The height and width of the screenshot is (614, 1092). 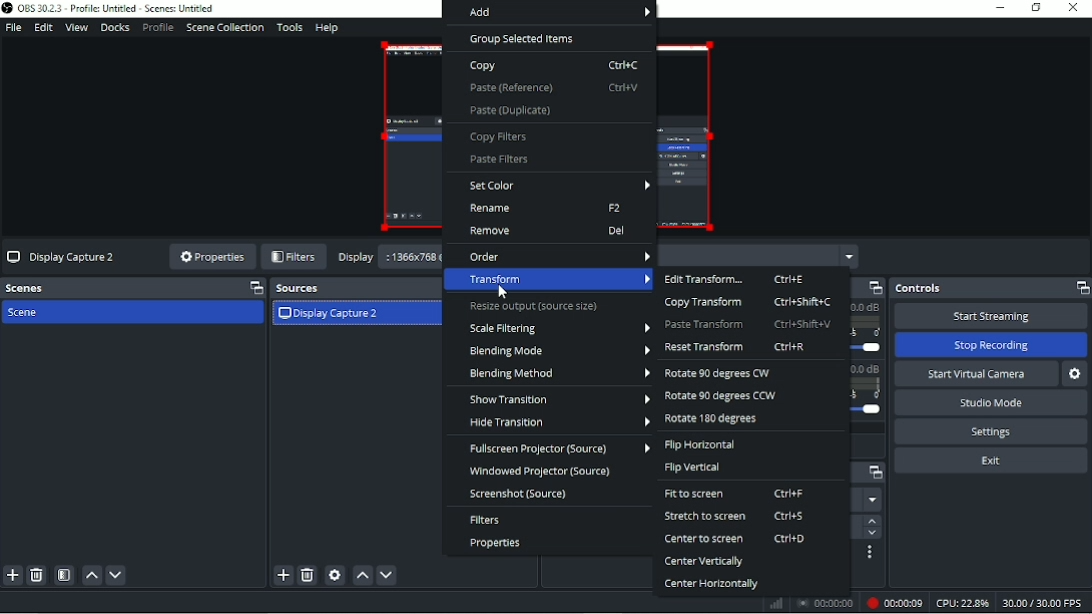 What do you see at coordinates (116, 576) in the screenshot?
I see `Move scene down` at bounding box center [116, 576].